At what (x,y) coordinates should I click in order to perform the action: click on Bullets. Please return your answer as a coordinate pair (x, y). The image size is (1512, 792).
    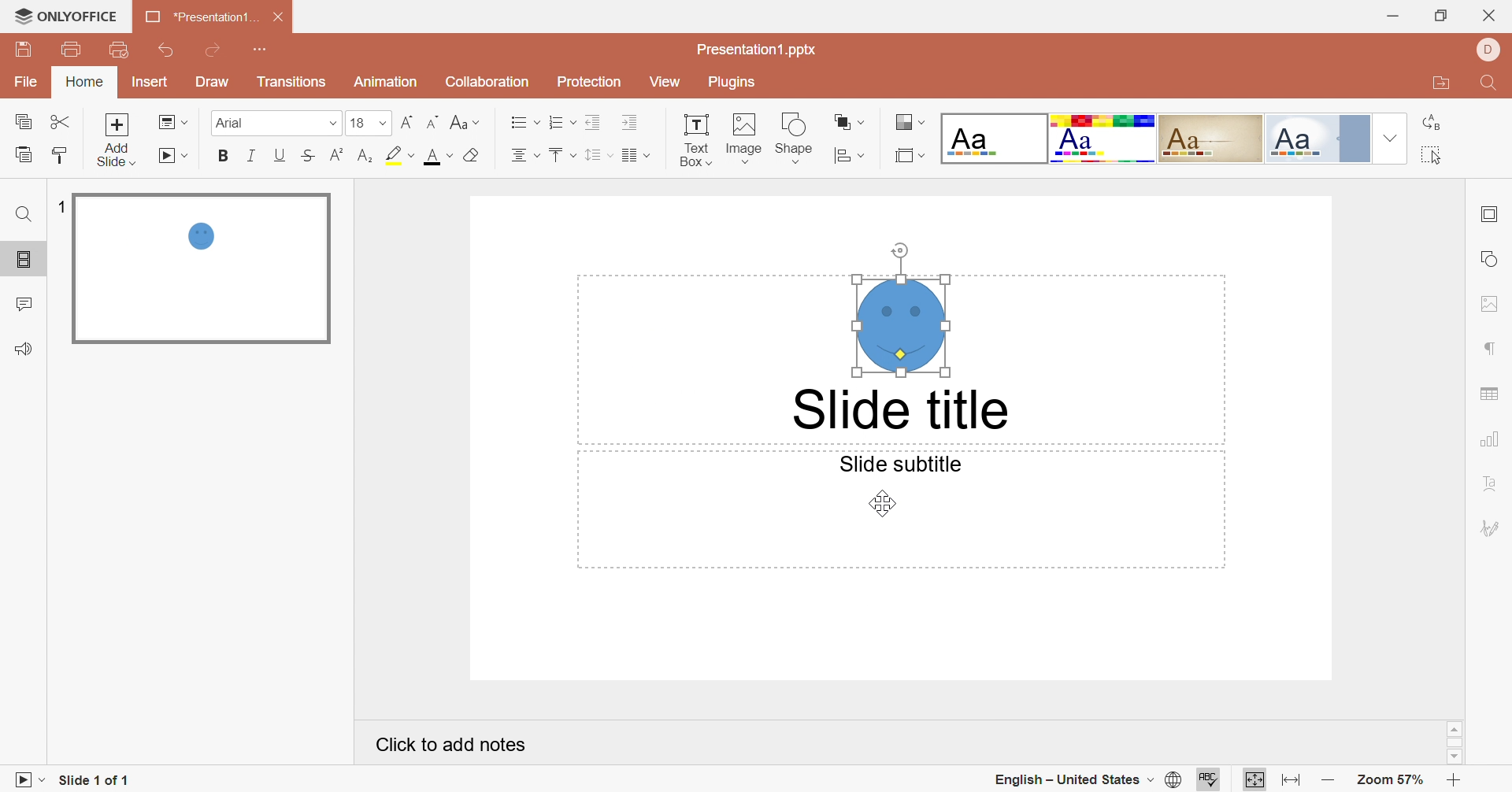
    Looking at the image, I should click on (521, 121).